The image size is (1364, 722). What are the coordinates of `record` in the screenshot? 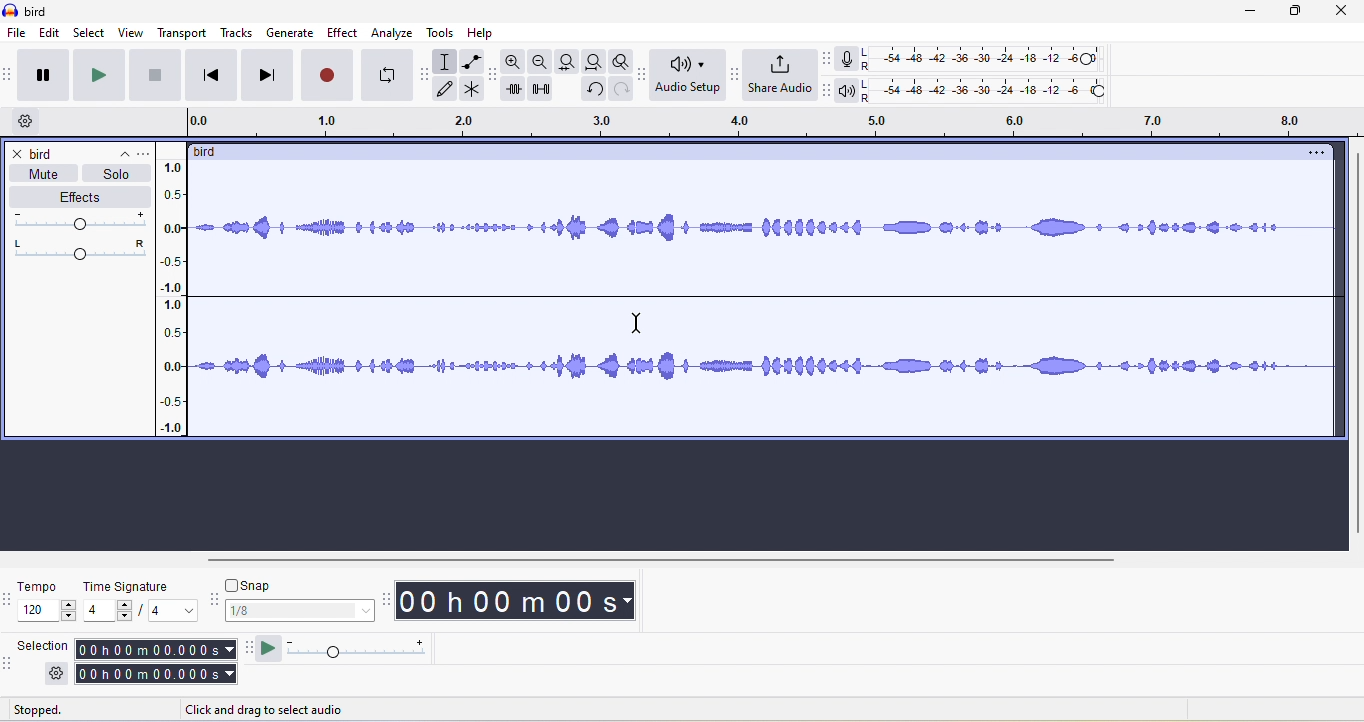 It's located at (325, 75).